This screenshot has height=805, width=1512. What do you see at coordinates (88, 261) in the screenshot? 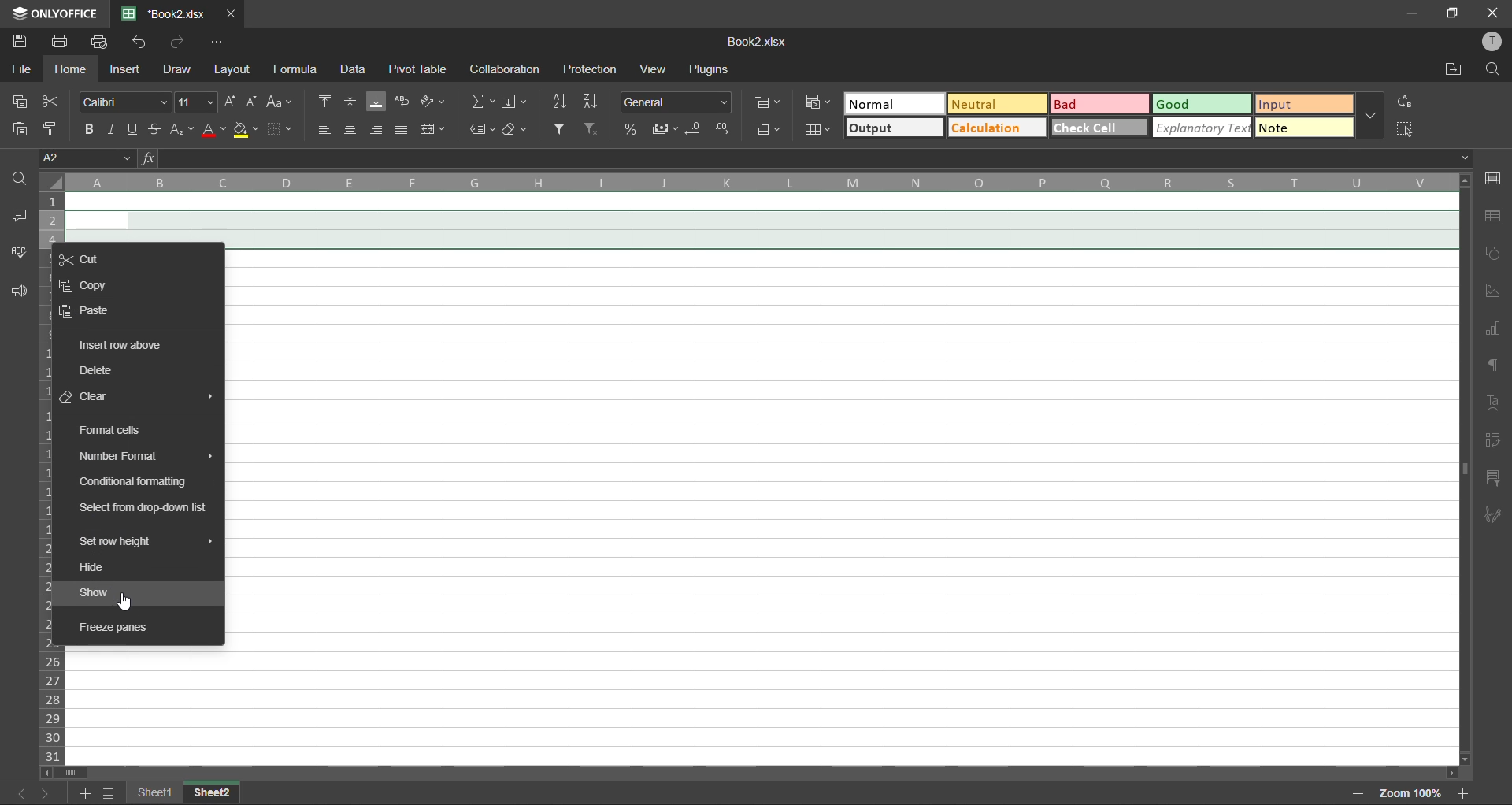
I see `cut` at bounding box center [88, 261].